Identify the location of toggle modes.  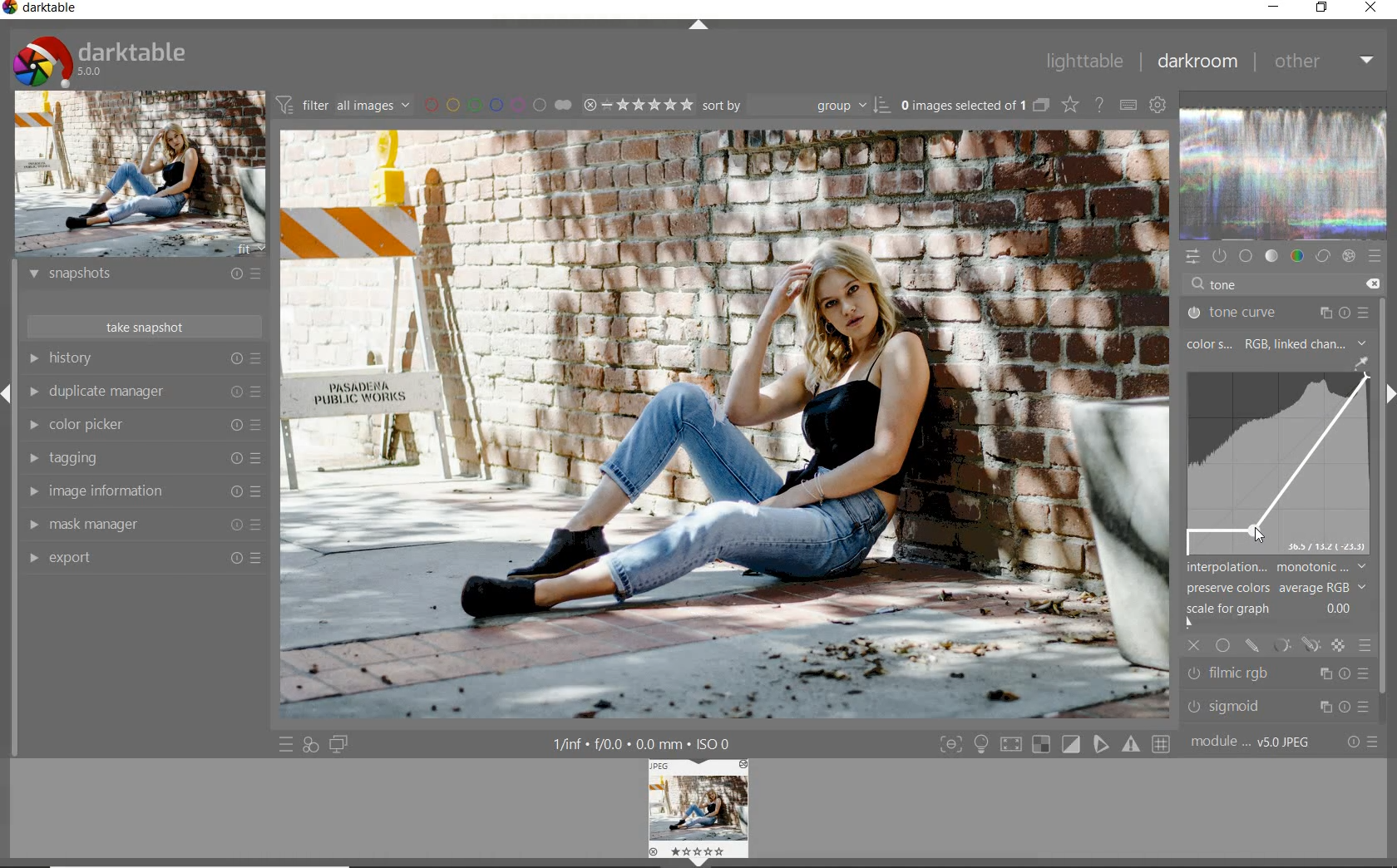
(1052, 745).